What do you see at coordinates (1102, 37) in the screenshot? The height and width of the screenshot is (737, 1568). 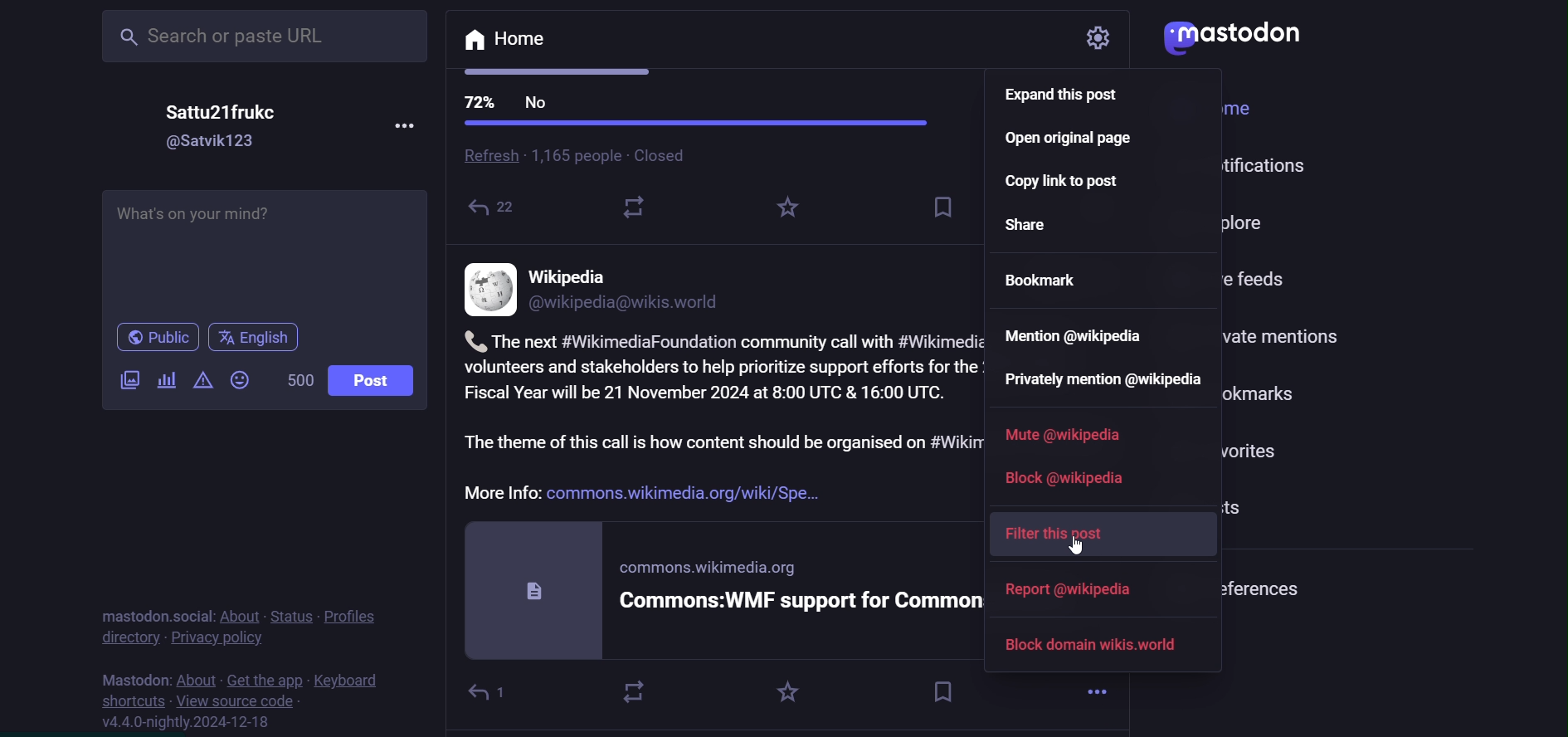 I see `setting` at bounding box center [1102, 37].